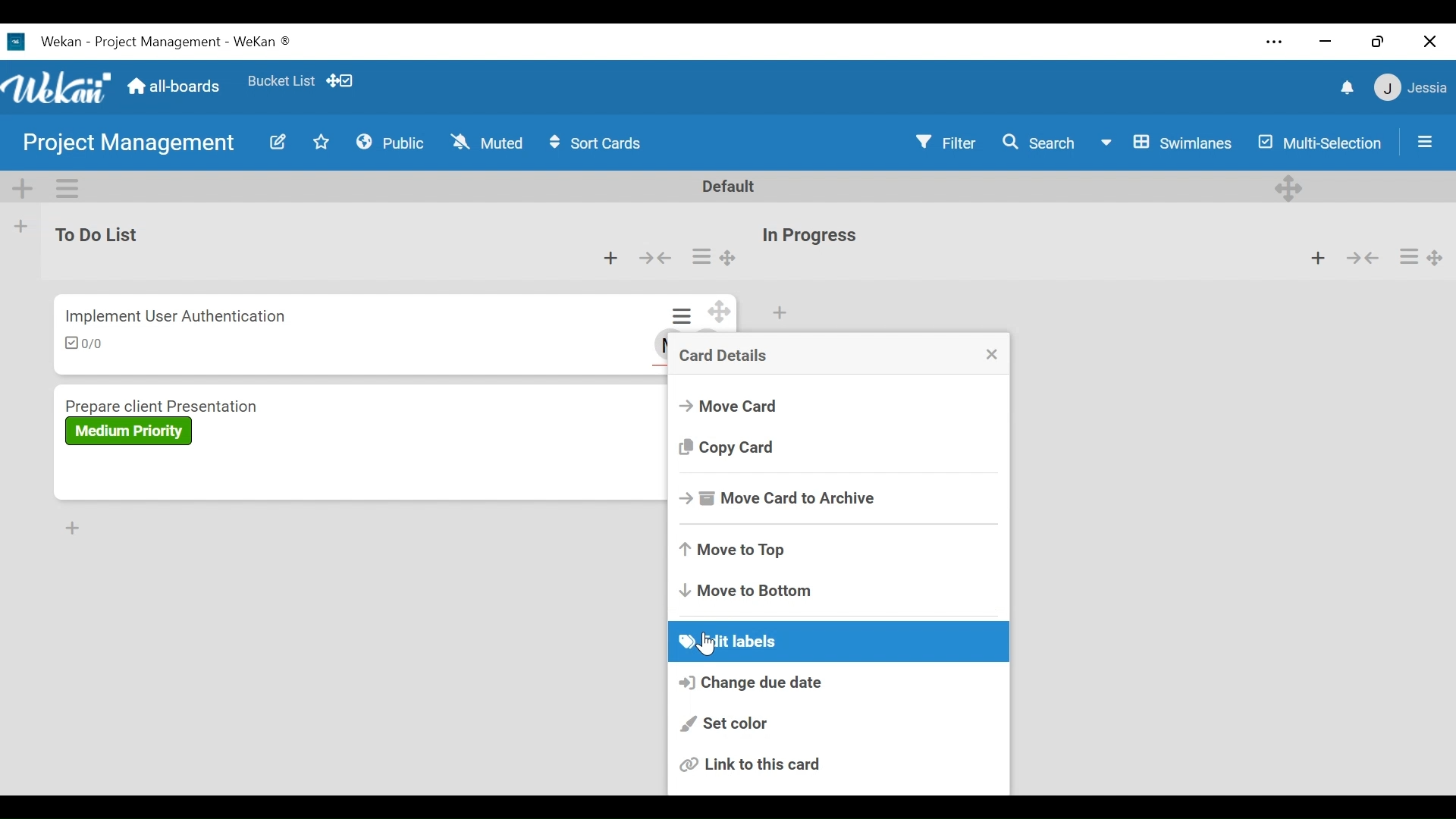  I want to click on Default, so click(731, 186).